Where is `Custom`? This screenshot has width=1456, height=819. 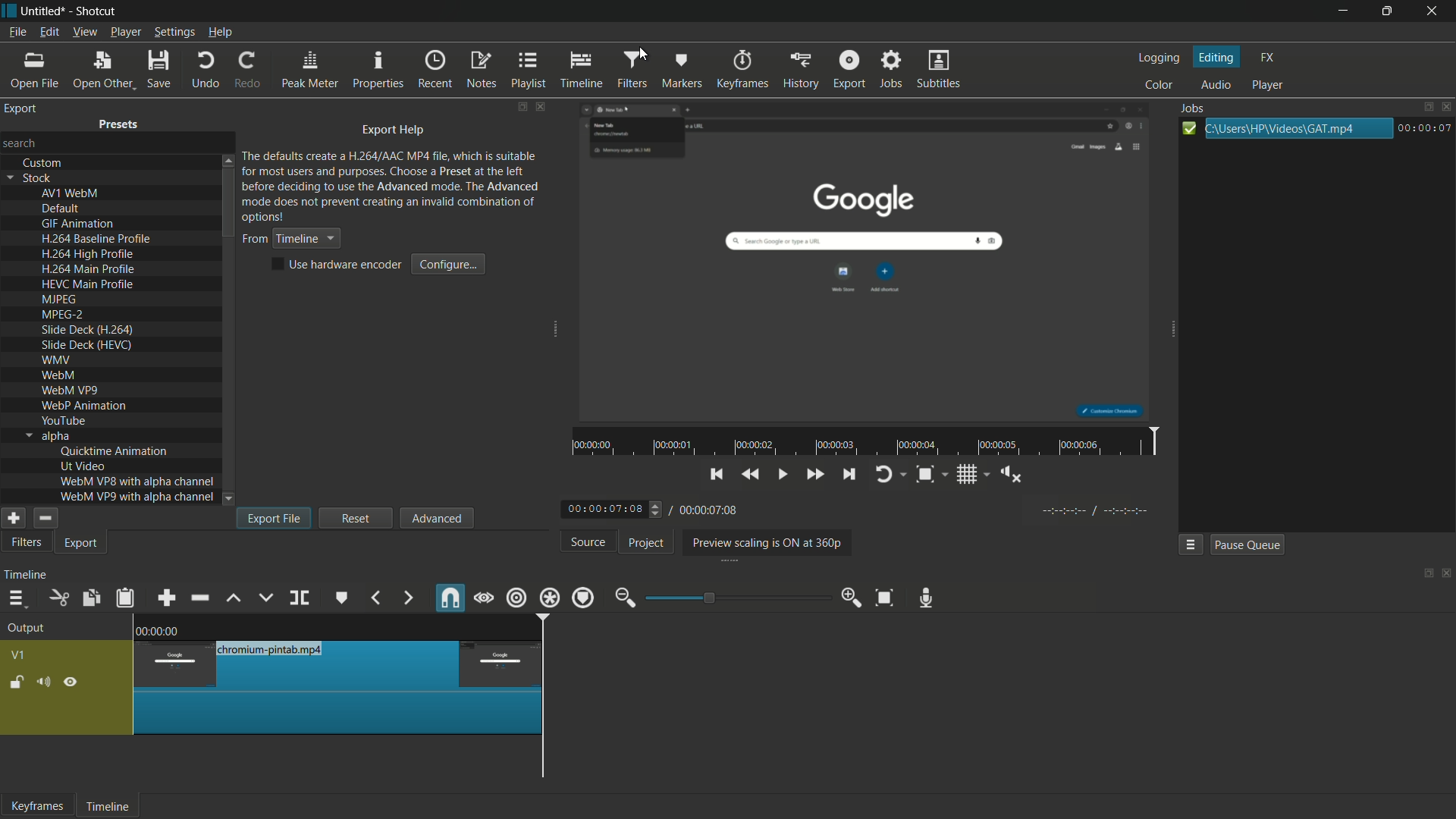
Custom is located at coordinates (44, 163).